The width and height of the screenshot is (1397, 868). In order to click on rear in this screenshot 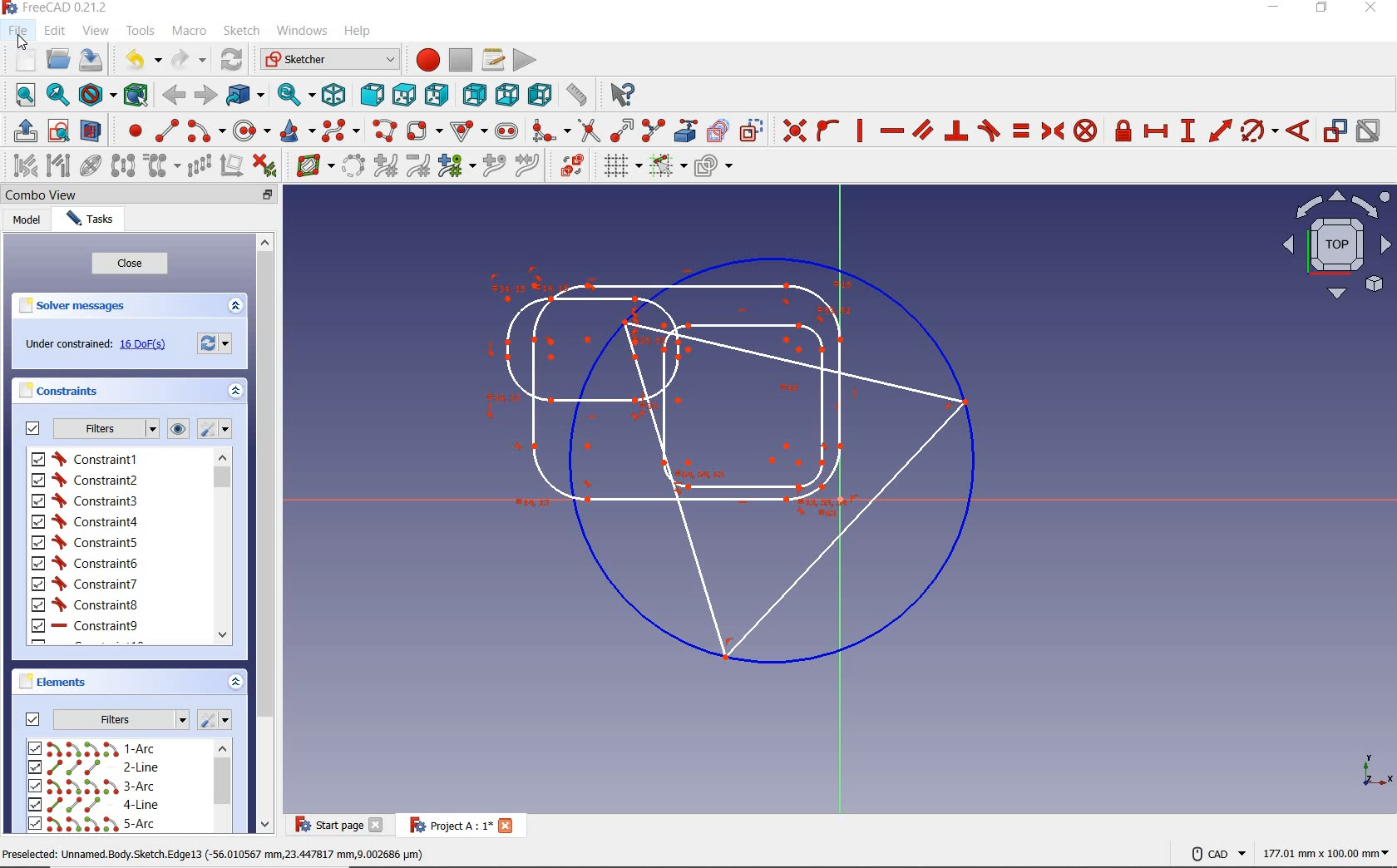, I will do `click(473, 93)`.